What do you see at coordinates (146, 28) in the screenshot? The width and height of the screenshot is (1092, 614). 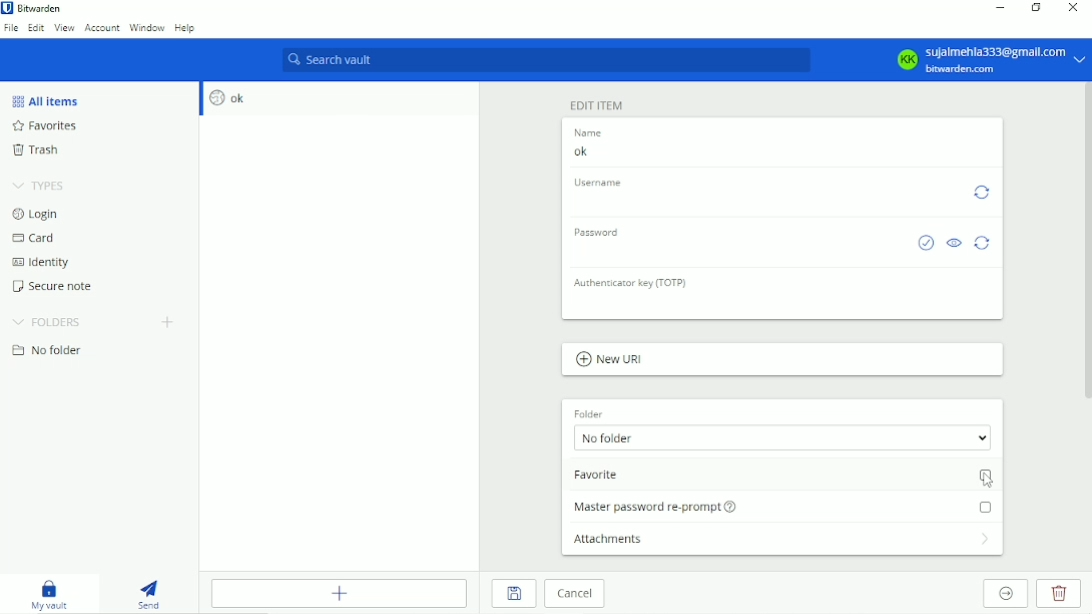 I see `Window` at bounding box center [146, 28].